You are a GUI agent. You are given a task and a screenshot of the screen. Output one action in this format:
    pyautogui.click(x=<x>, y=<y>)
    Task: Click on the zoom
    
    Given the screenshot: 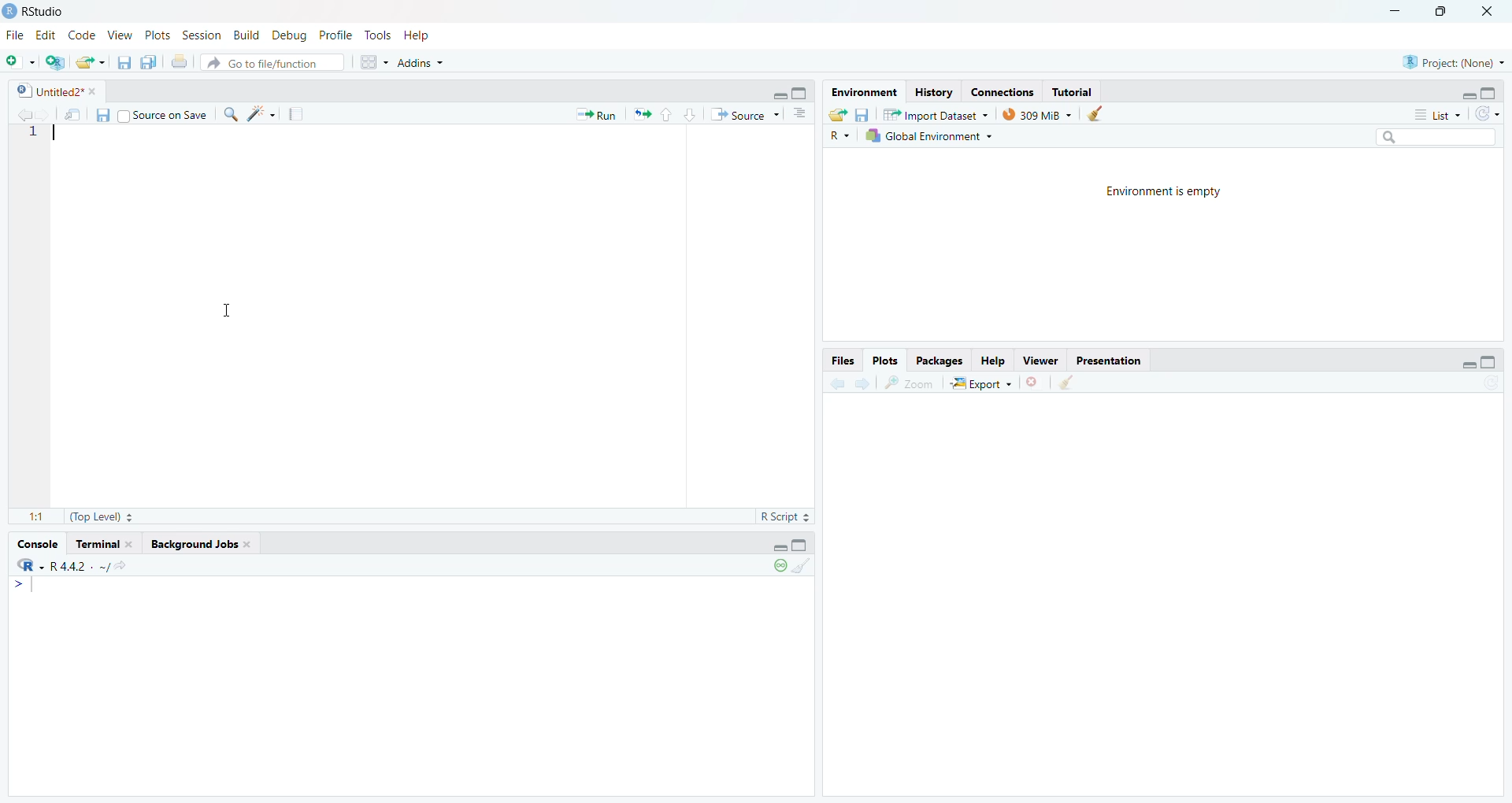 What is the action you would take?
    pyautogui.click(x=910, y=384)
    